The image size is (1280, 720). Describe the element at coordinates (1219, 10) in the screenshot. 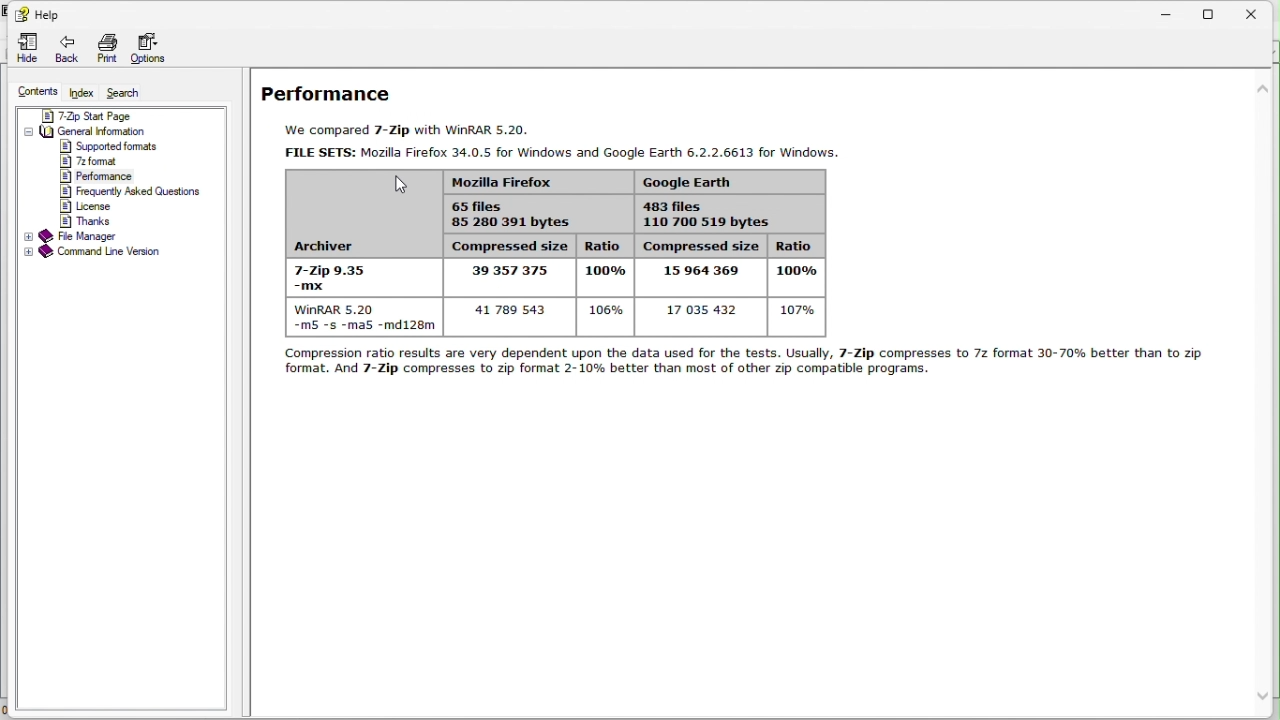

I see `restore` at that location.